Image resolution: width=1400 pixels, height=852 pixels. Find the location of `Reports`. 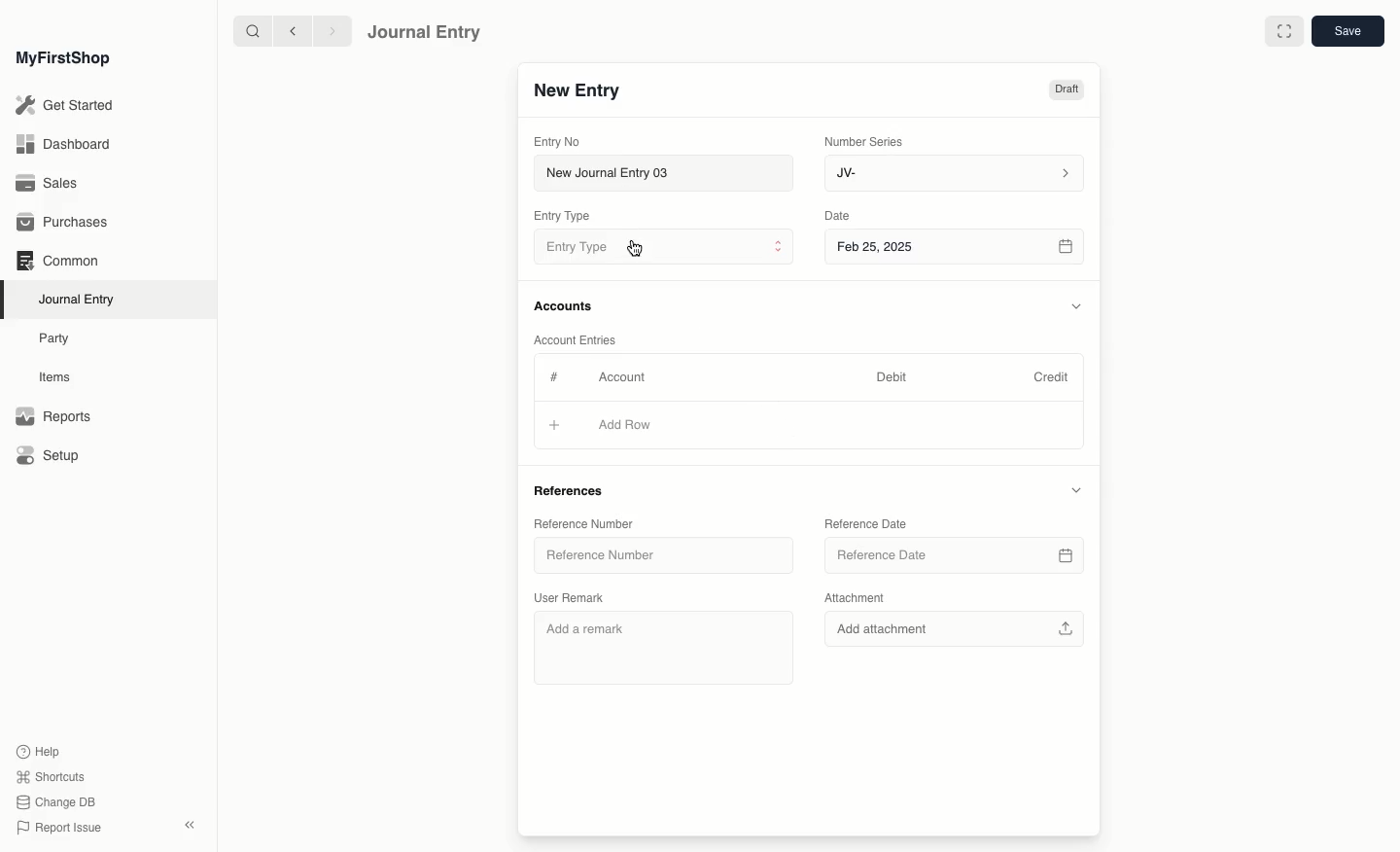

Reports is located at coordinates (52, 417).